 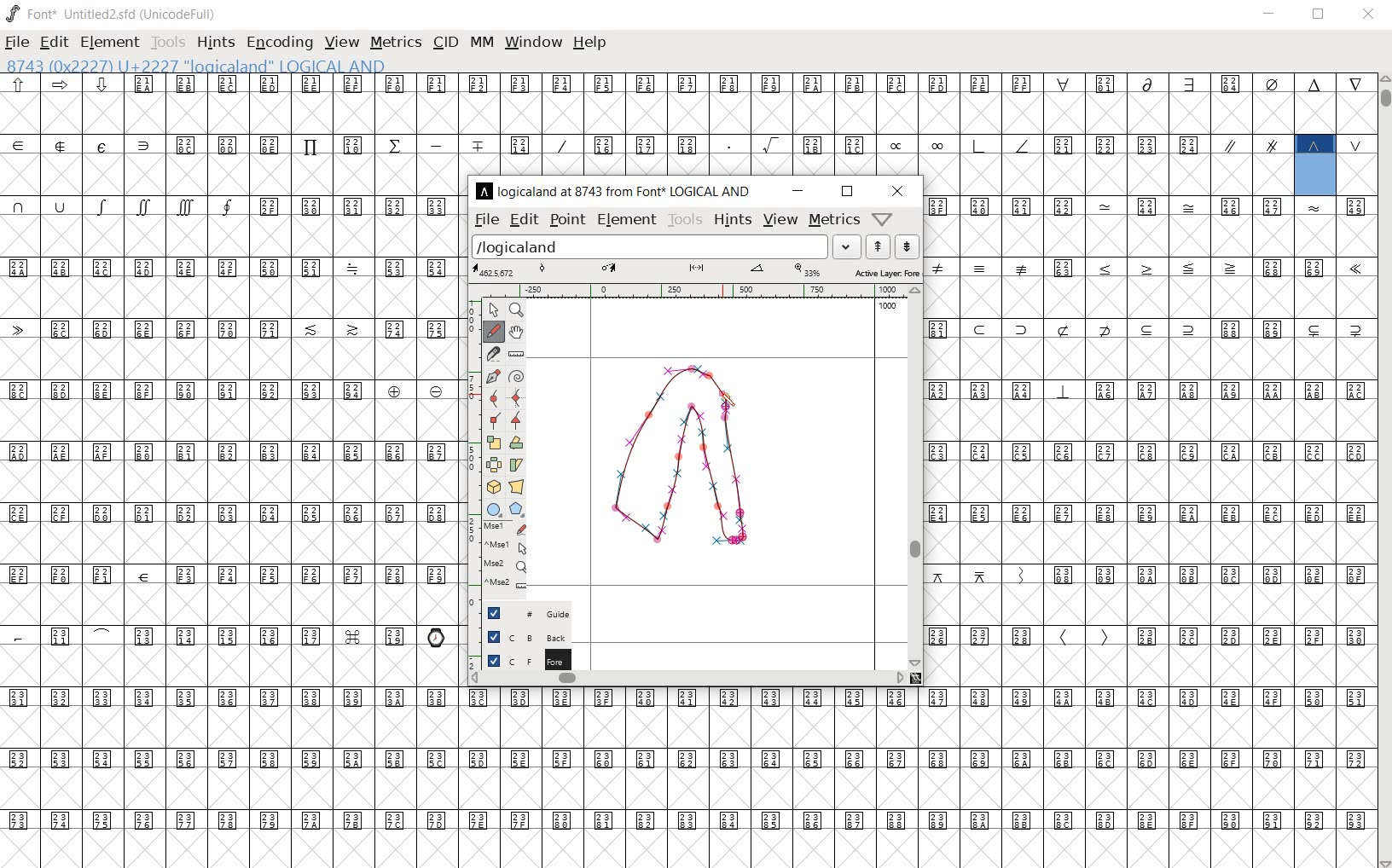 What do you see at coordinates (684, 219) in the screenshot?
I see `tools` at bounding box center [684, 219].